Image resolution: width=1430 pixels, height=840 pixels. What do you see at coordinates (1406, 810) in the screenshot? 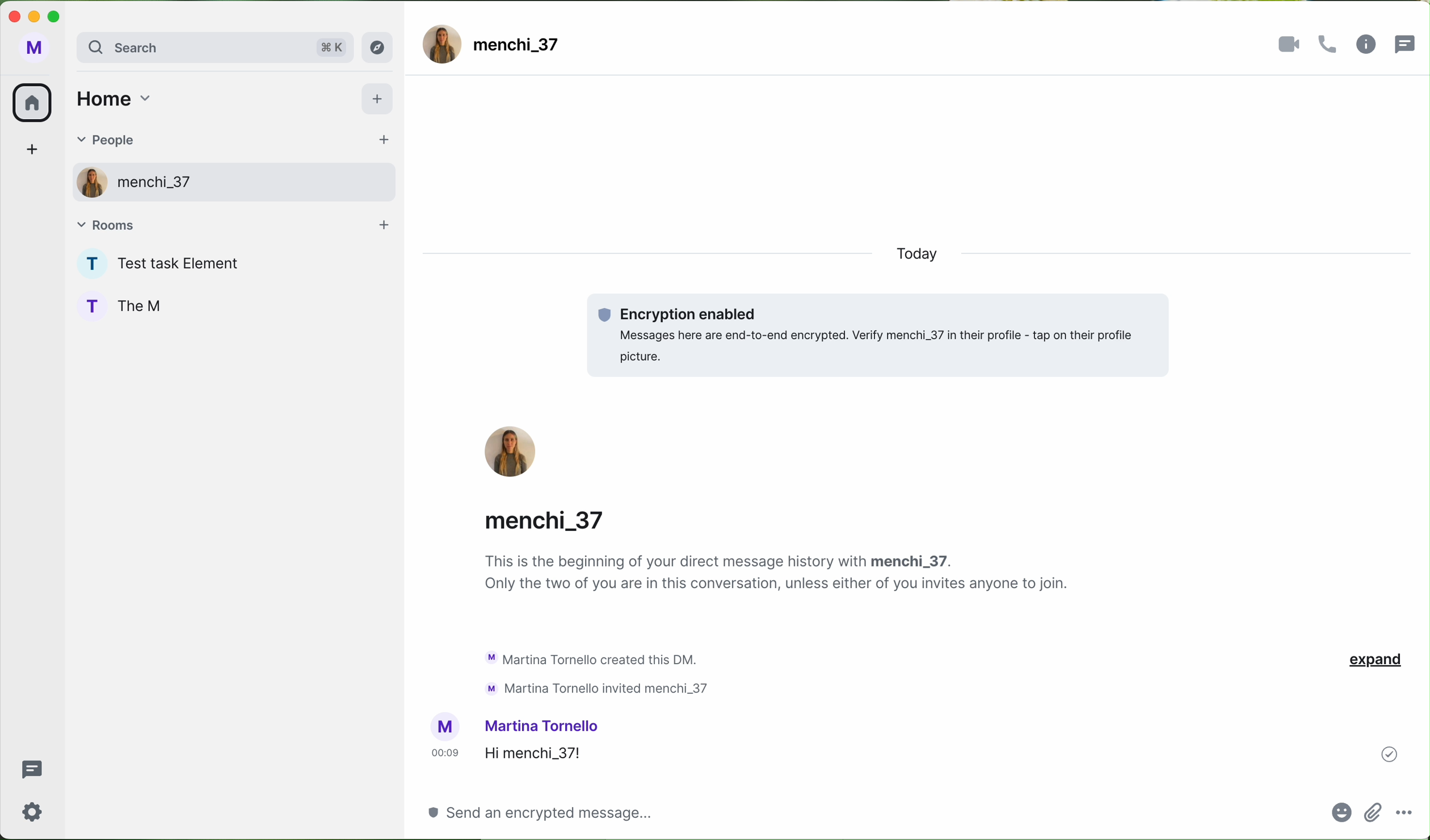
I see `more options` at bounding box center [1406, 810].